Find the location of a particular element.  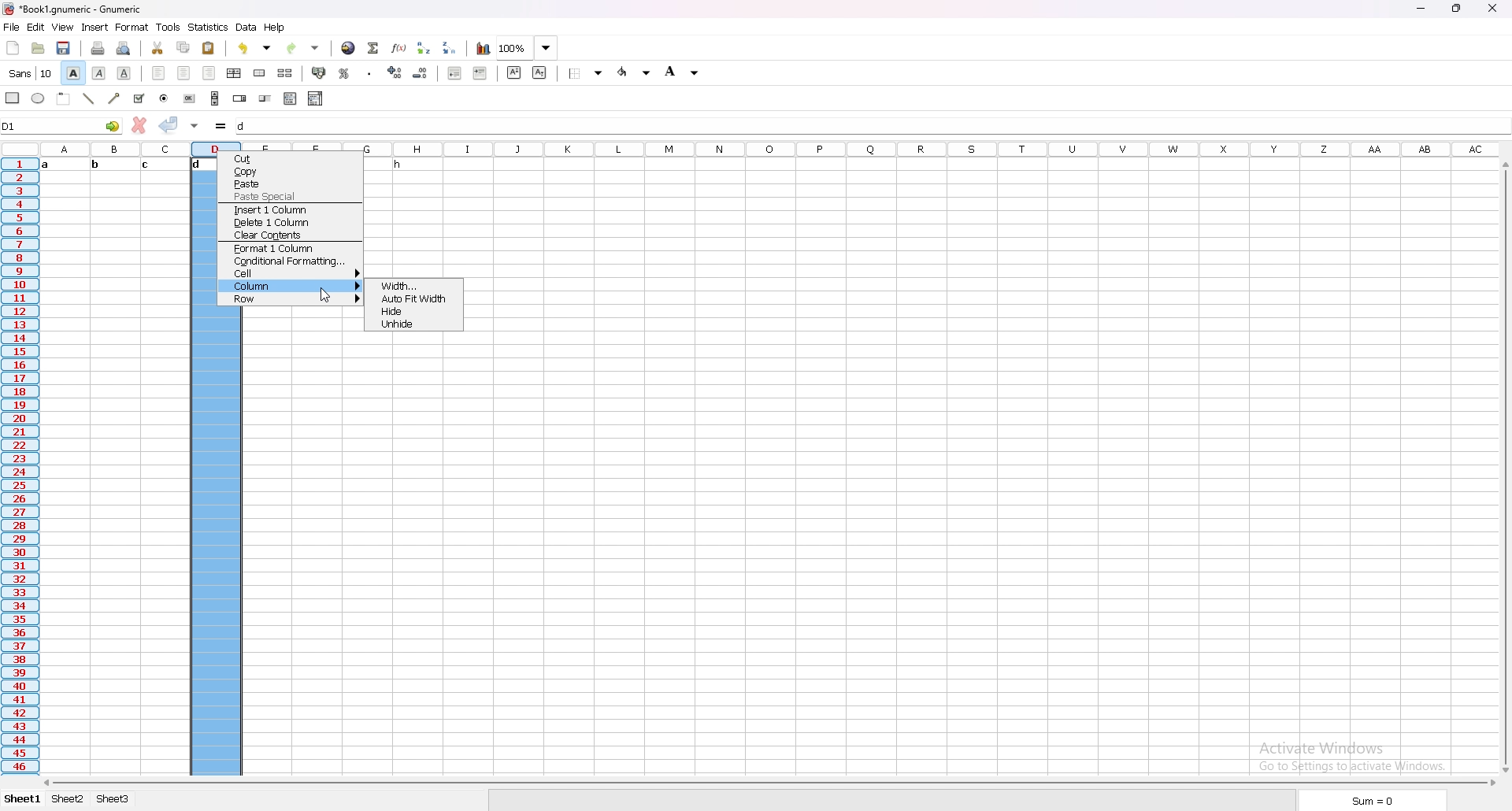

scroll bar is located at coordinates (768, 783).